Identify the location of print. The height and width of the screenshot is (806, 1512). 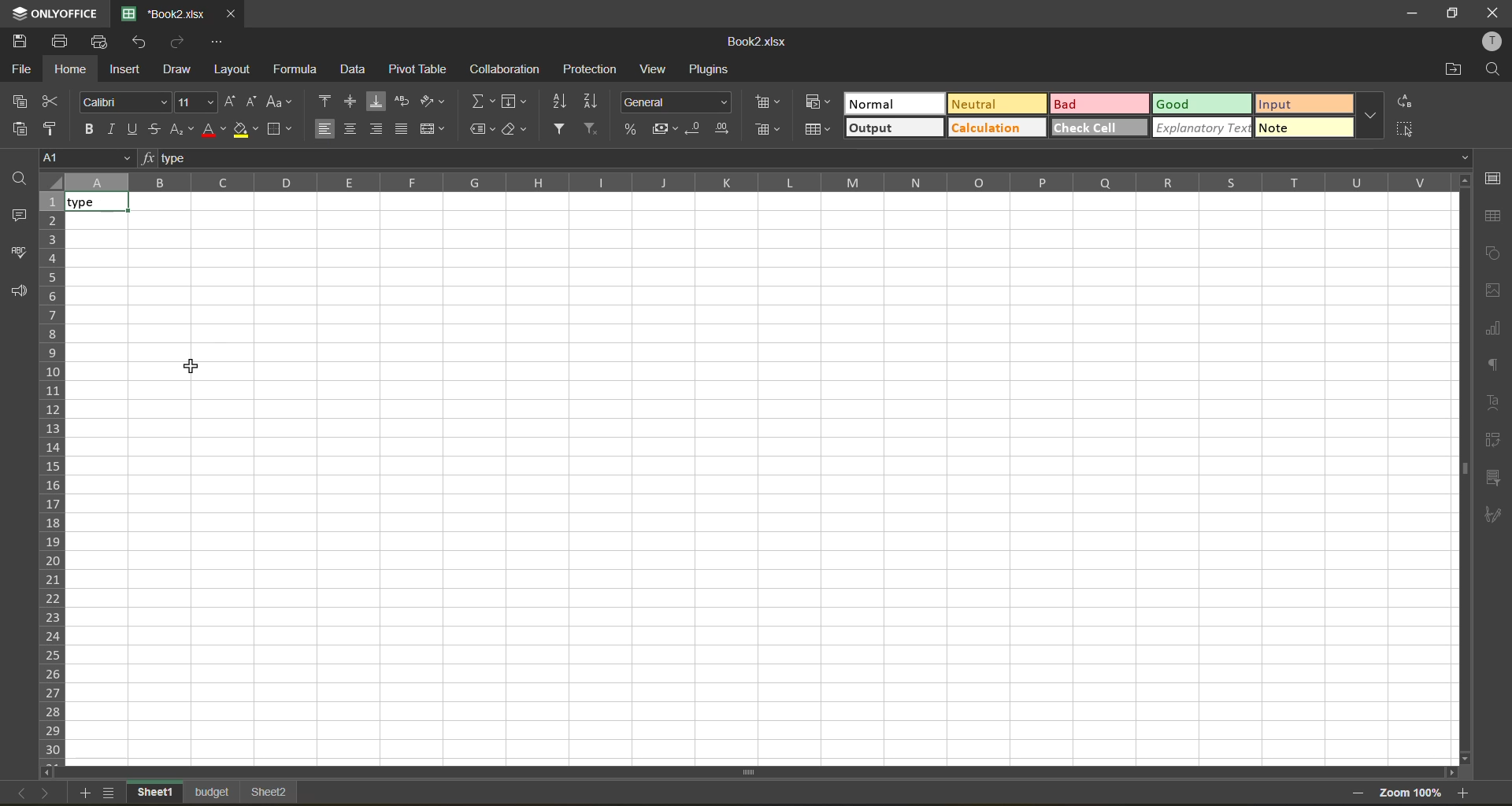
(59, 43).